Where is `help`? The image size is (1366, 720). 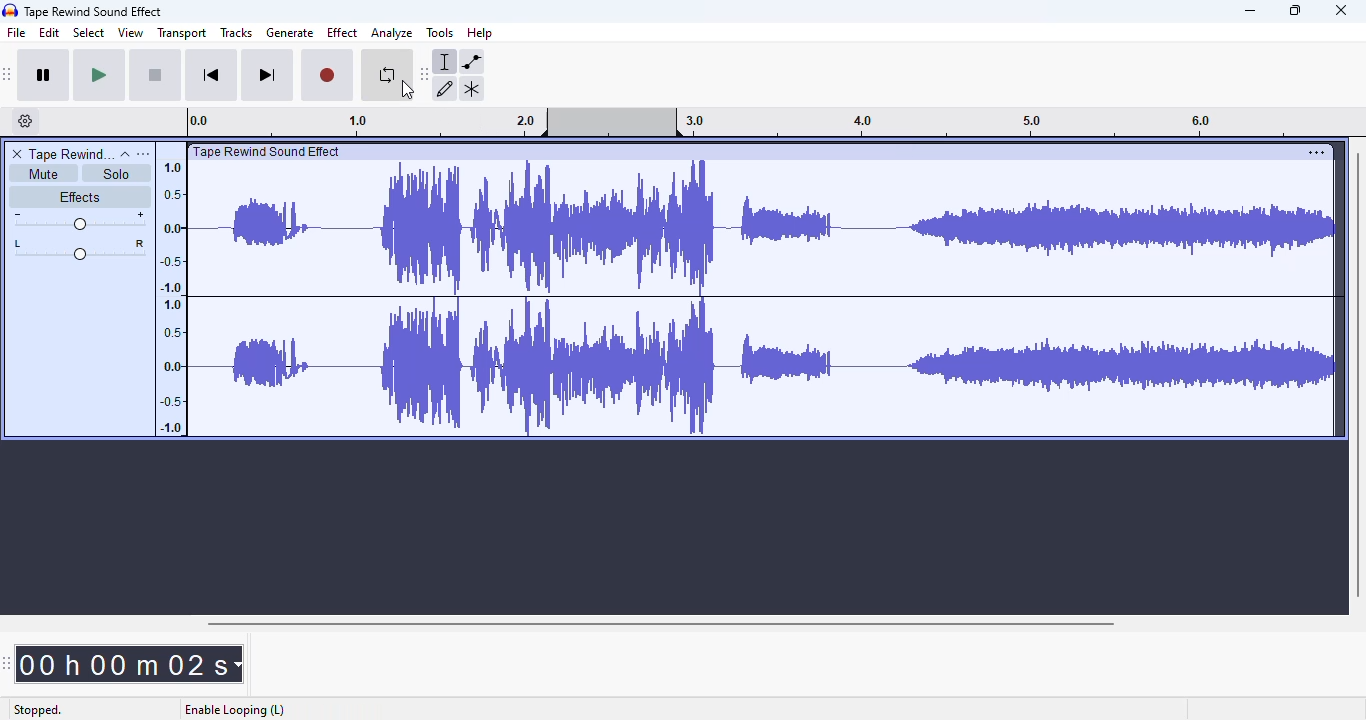 help is located at coordinates (480, 33).